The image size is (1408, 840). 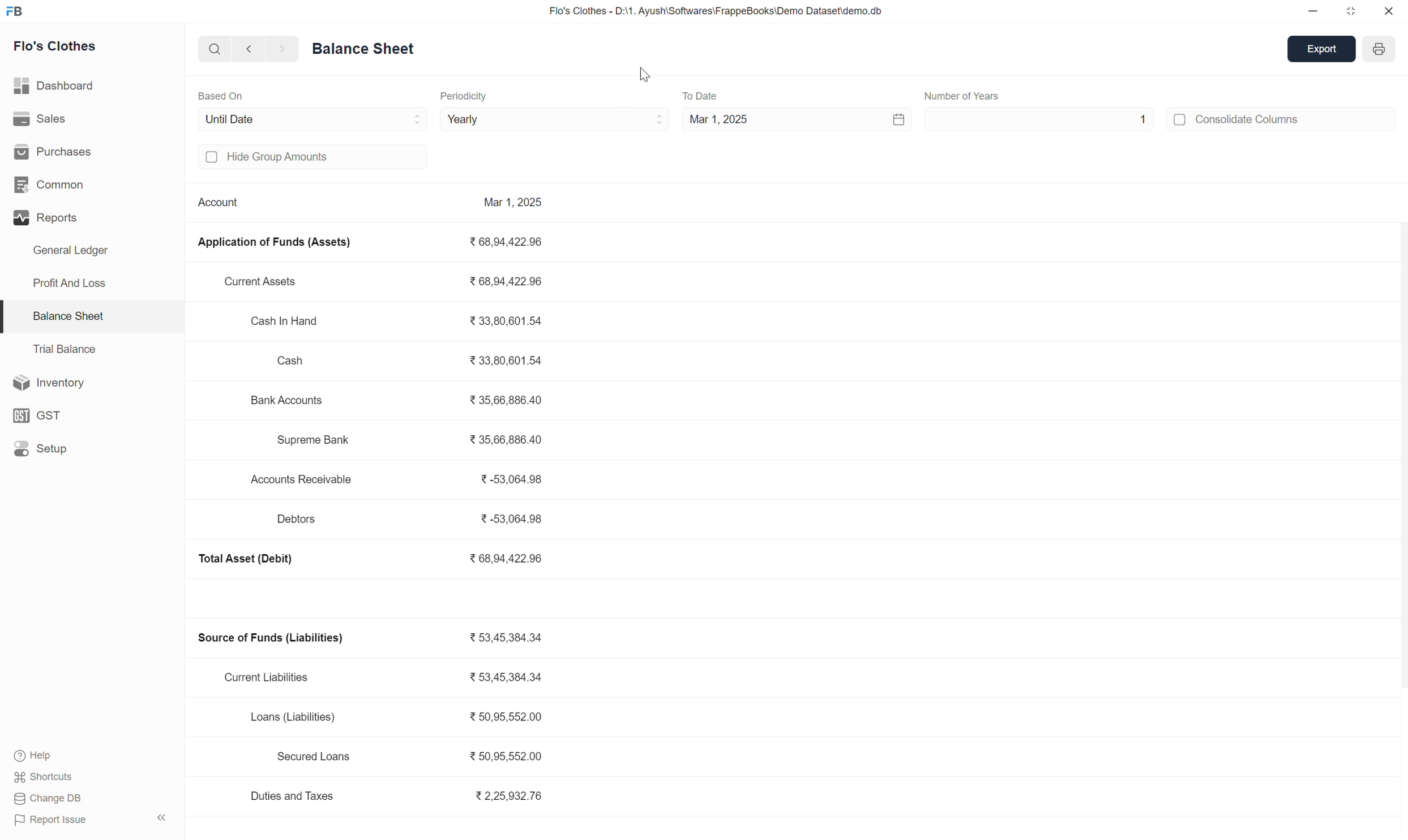 I want to click on forward, so click(x=277, y=49).